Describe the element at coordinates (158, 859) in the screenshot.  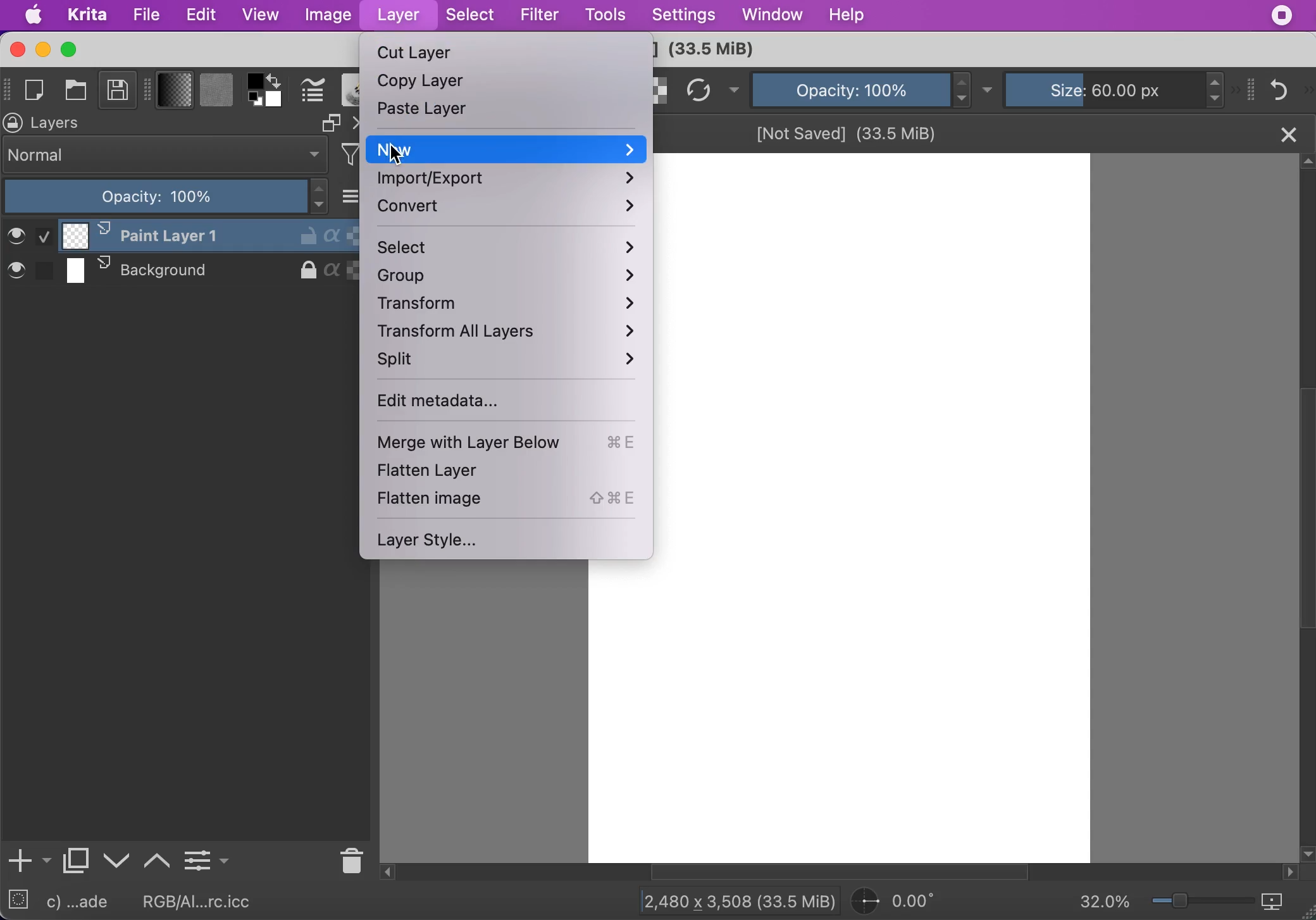
I see `move layer or mask up` at that location.